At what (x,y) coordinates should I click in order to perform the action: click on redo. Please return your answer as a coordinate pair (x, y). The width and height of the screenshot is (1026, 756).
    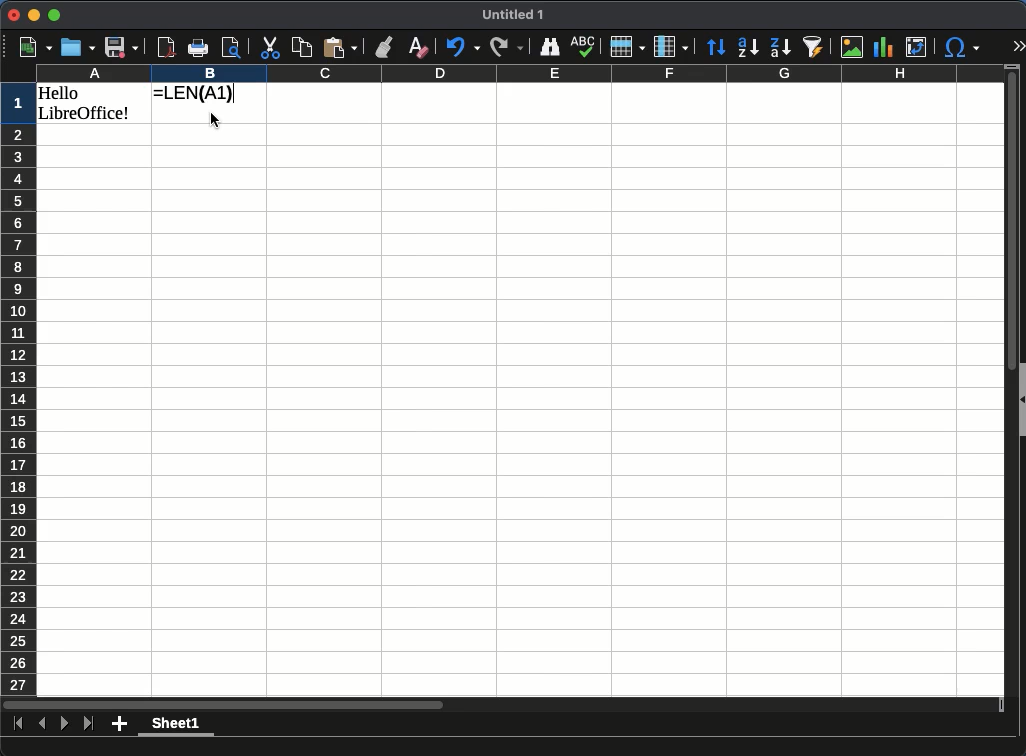
    Looking at the image, I should click on (507, 45).